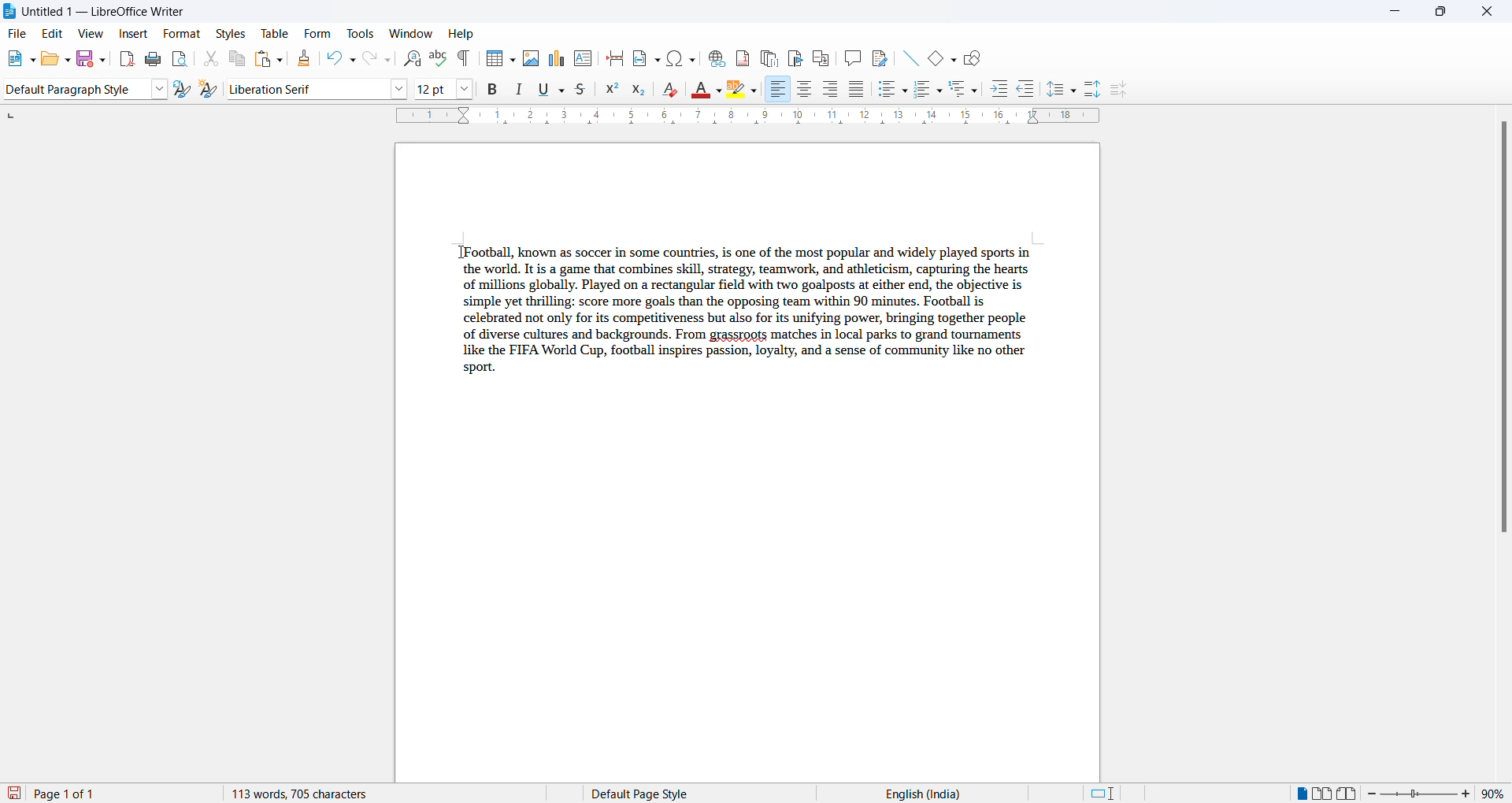 Image resolution: width=1512 pixels, height=803 pixels. Describe the element at coordinates (581, 89) in the screenshot. I see `strike through` at that location.